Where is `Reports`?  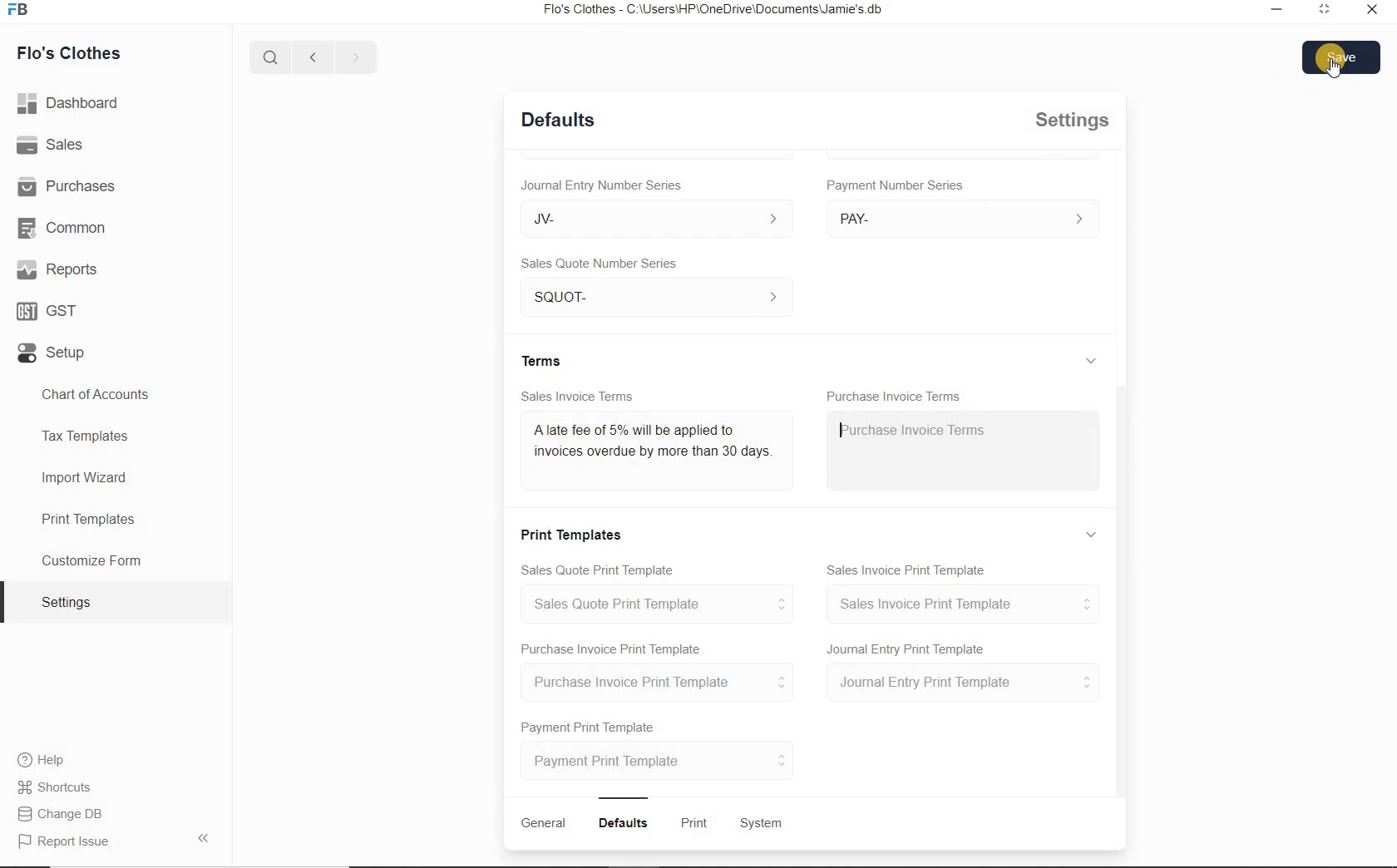 Reports is located at coordinates (57, 271).